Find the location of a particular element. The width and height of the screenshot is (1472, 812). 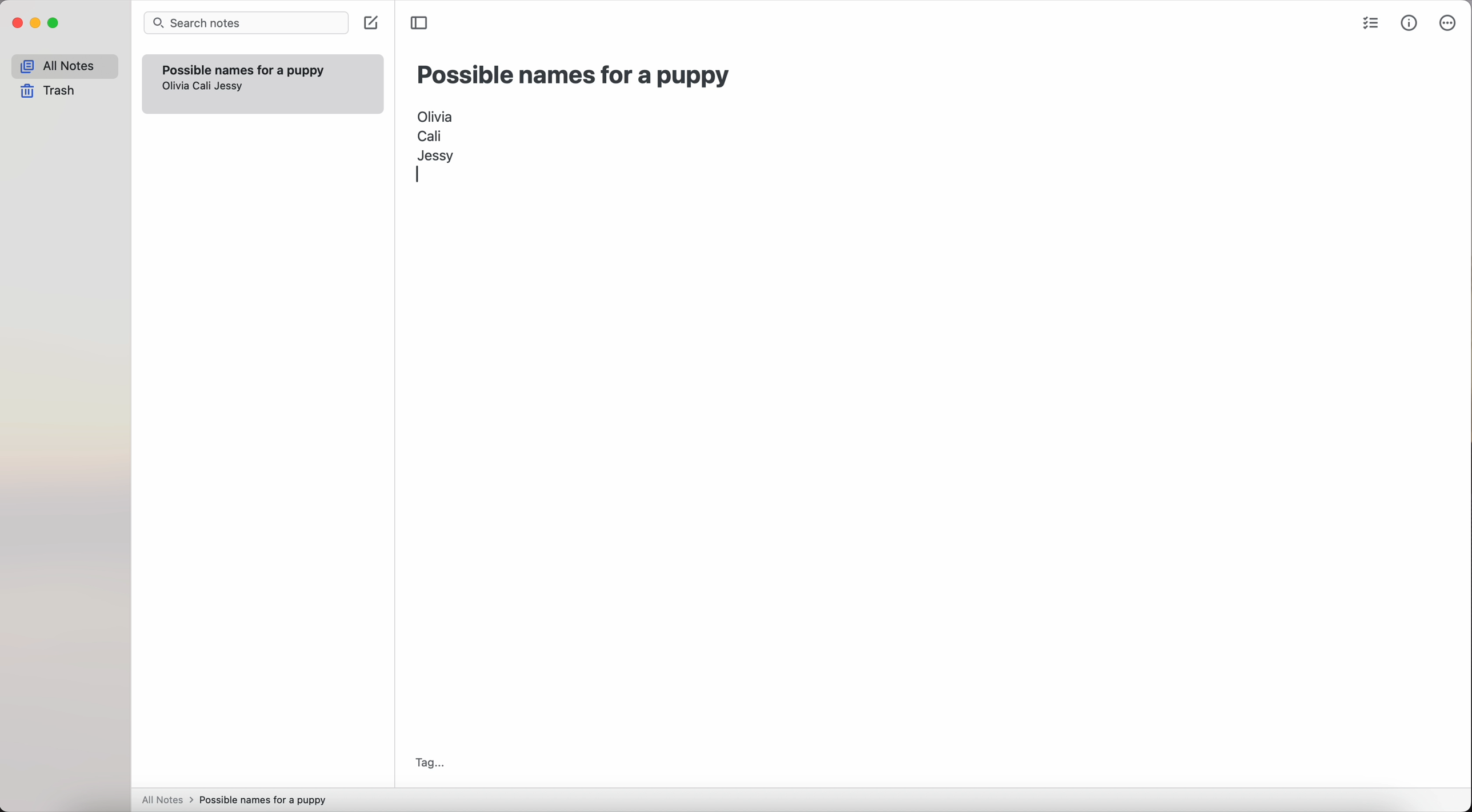

possible names for a puppy is located at coordinates (574, 75).